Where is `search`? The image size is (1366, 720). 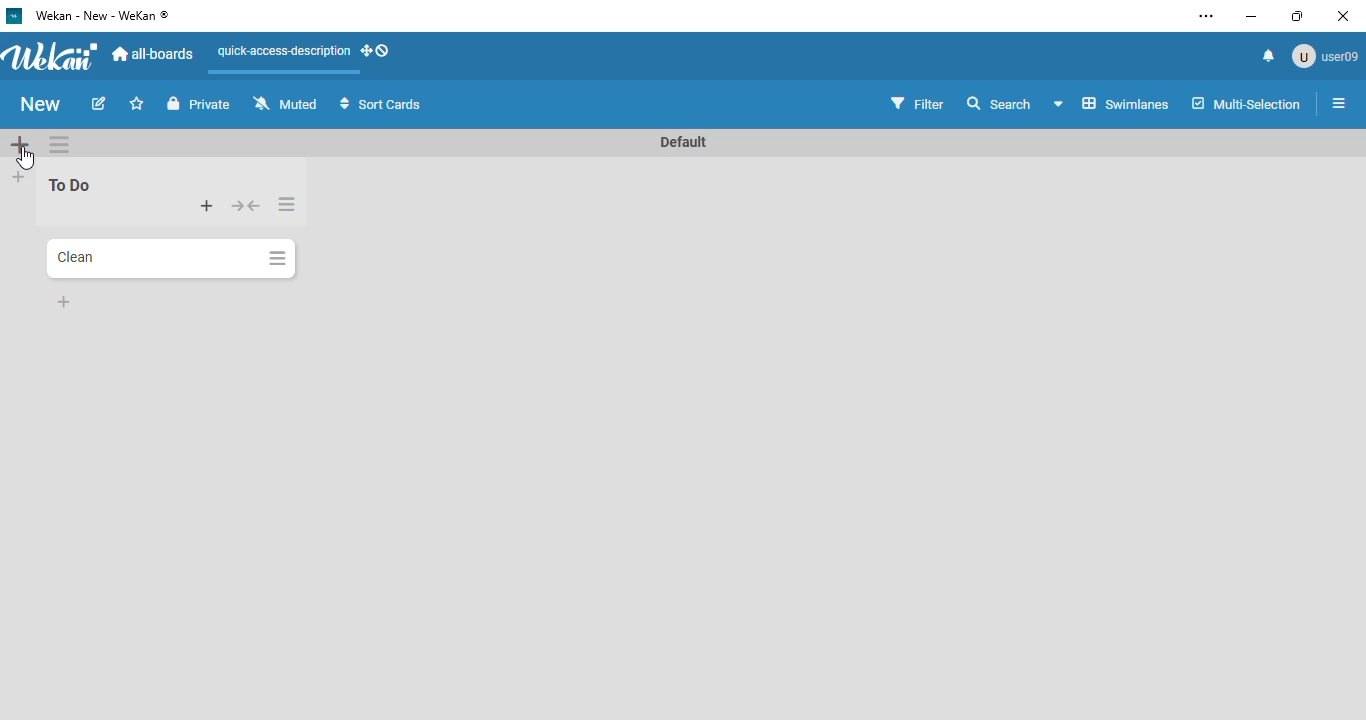
search is located at coordinates (1000, 103).